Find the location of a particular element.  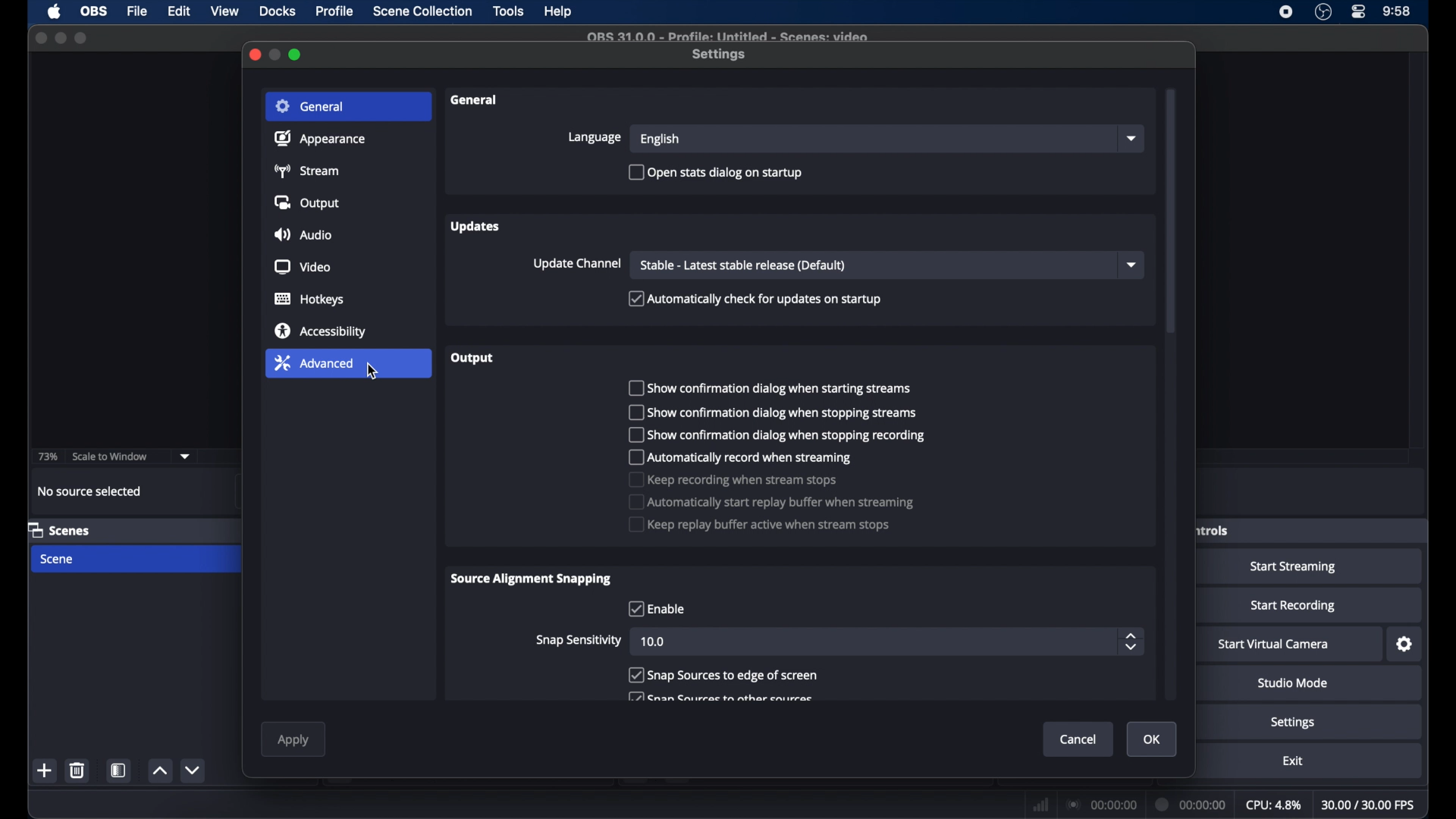

maximize is located at coordinates (81, 39).